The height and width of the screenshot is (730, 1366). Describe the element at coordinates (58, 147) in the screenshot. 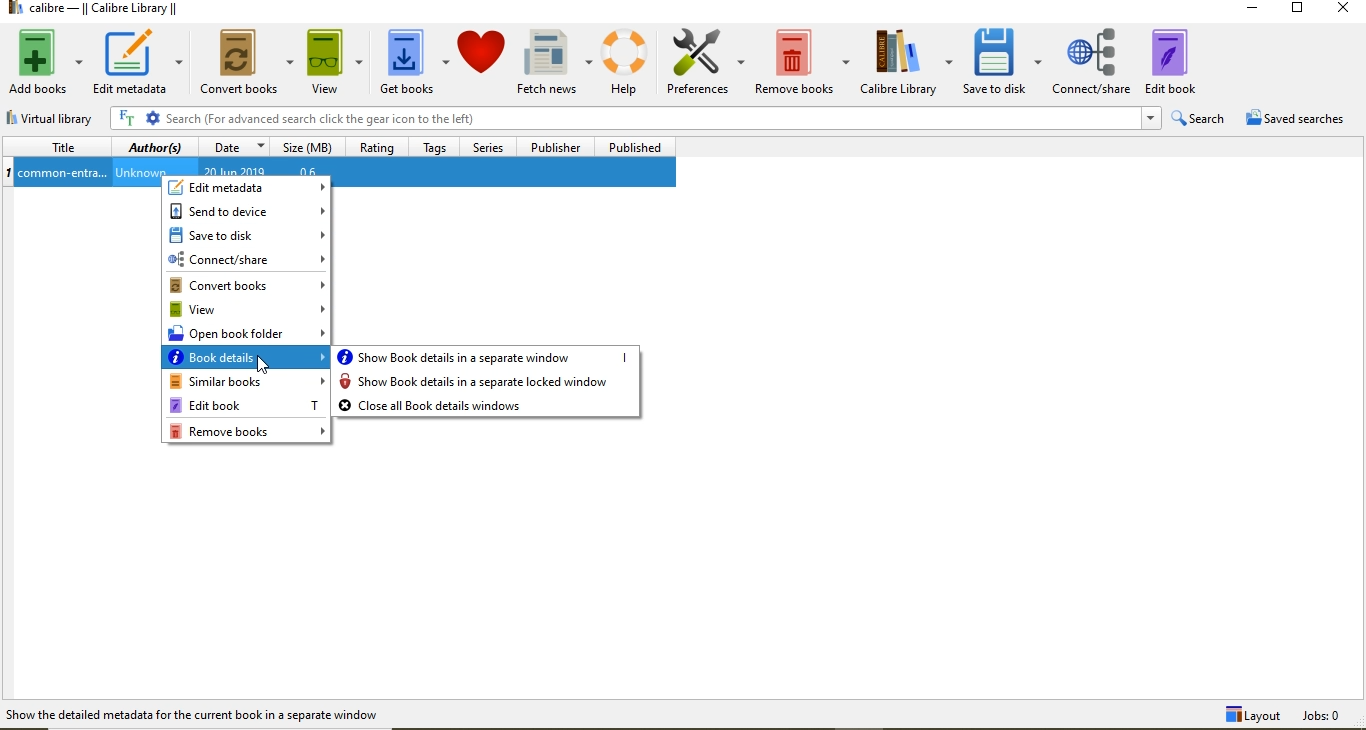

I see `title` at that location.